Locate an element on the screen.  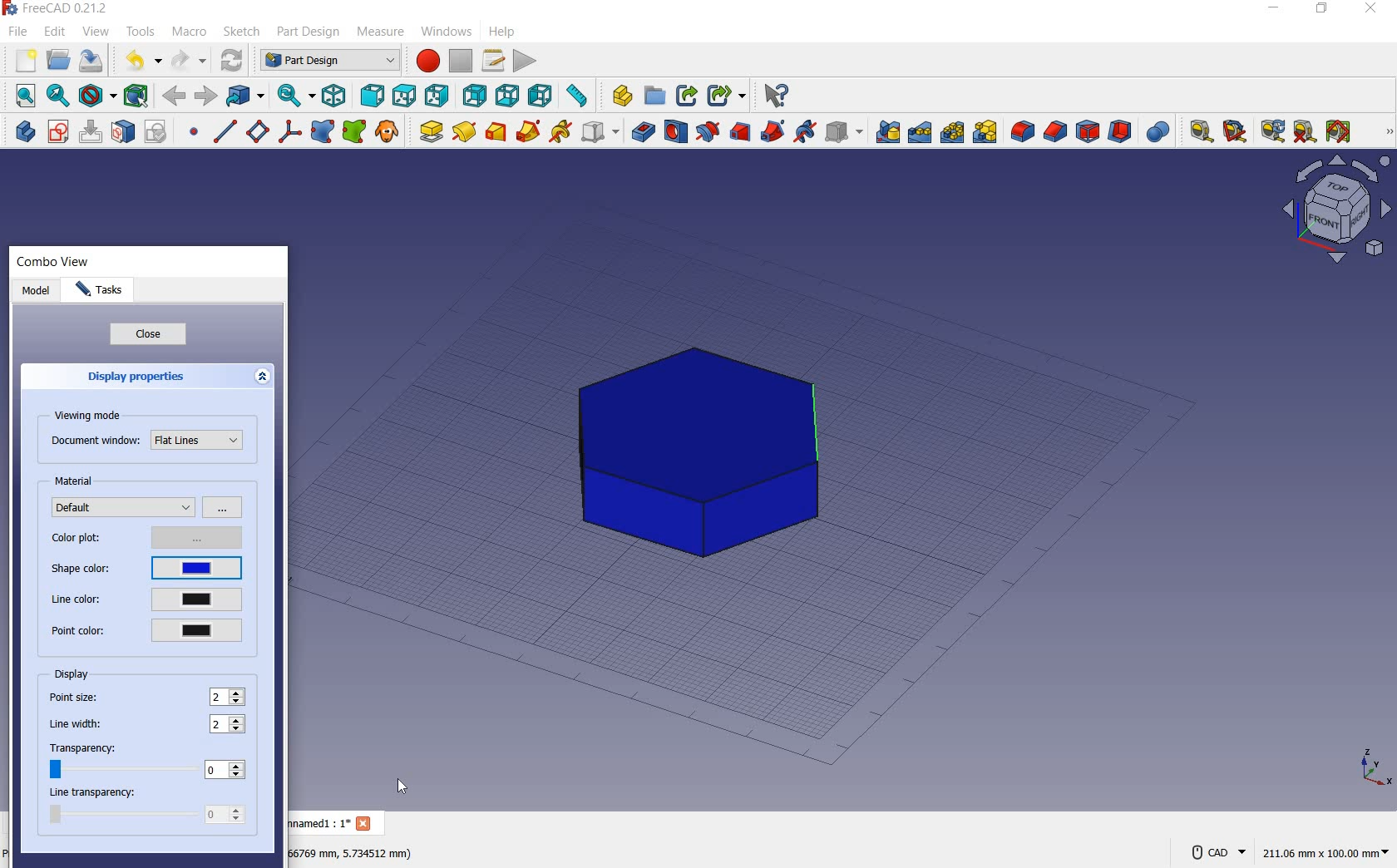
top is located at coordinates (402, 94).